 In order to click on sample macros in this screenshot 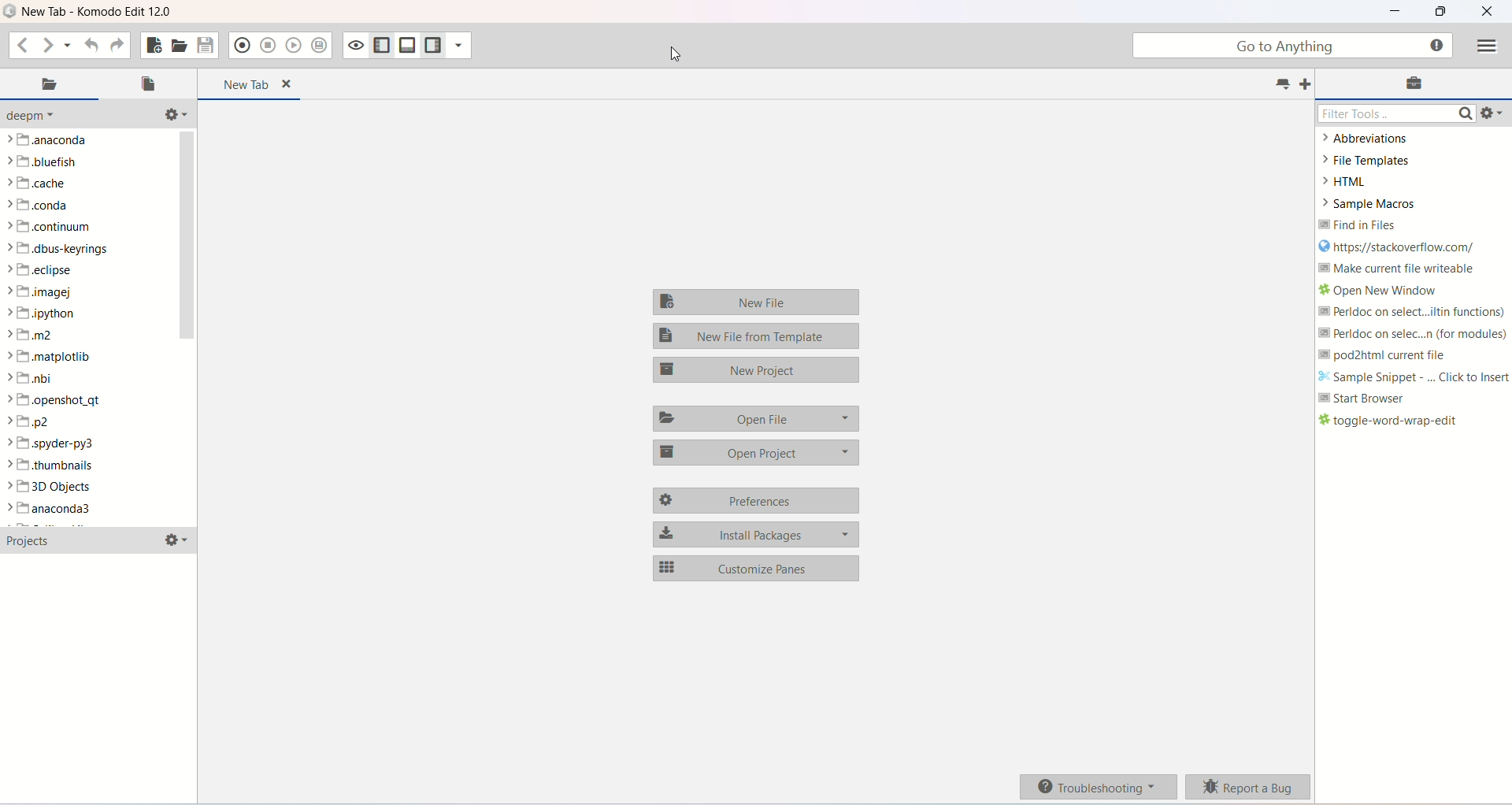, I will do `click(1370, 204)`.